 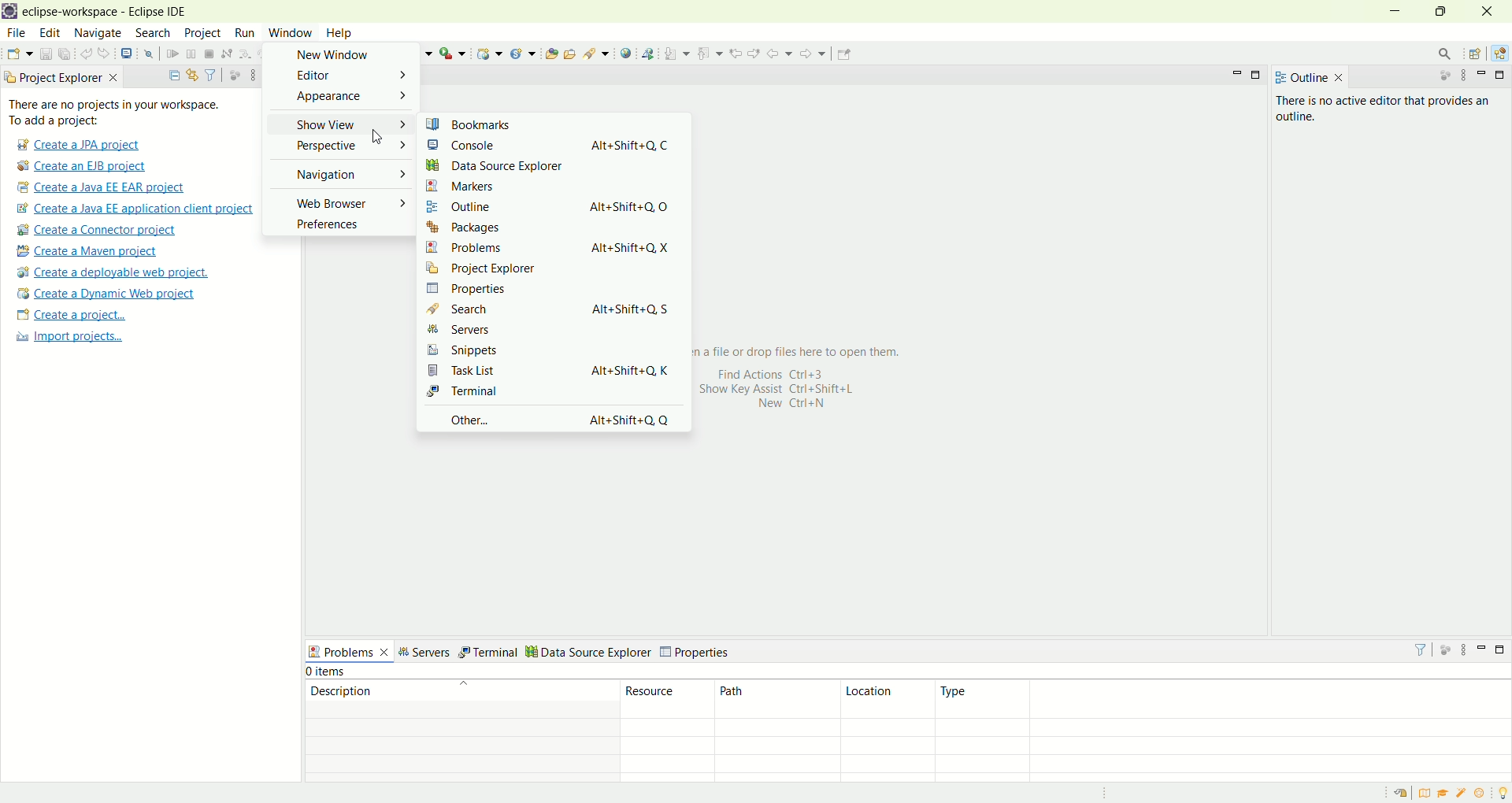 What do you see at coordinates (172, 73) in the screenshot?
I see `collapse all` at bounding box center [172, 73].